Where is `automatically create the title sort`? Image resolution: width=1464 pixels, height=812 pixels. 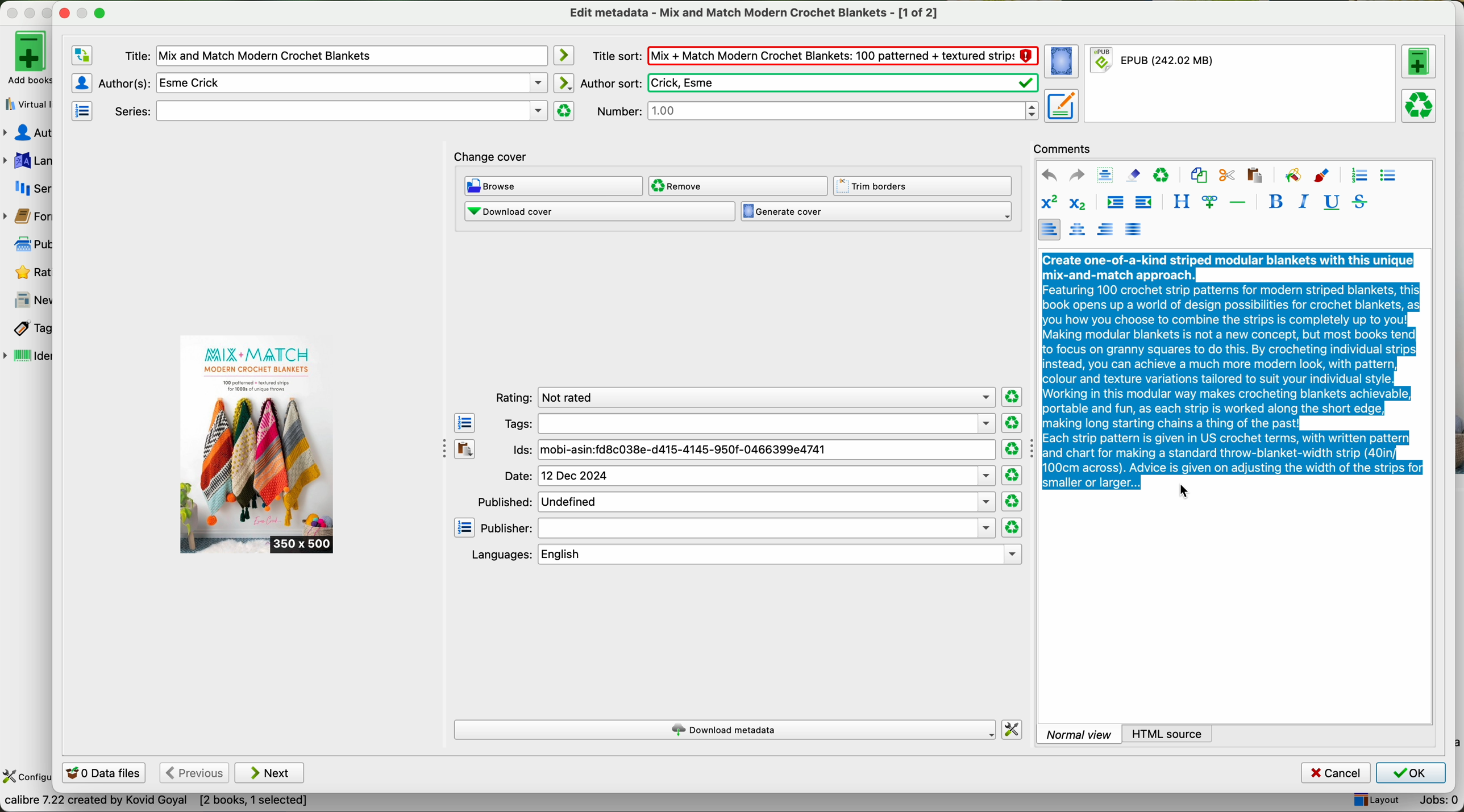
automatically create the title sort is located at coordinates (563, 56).